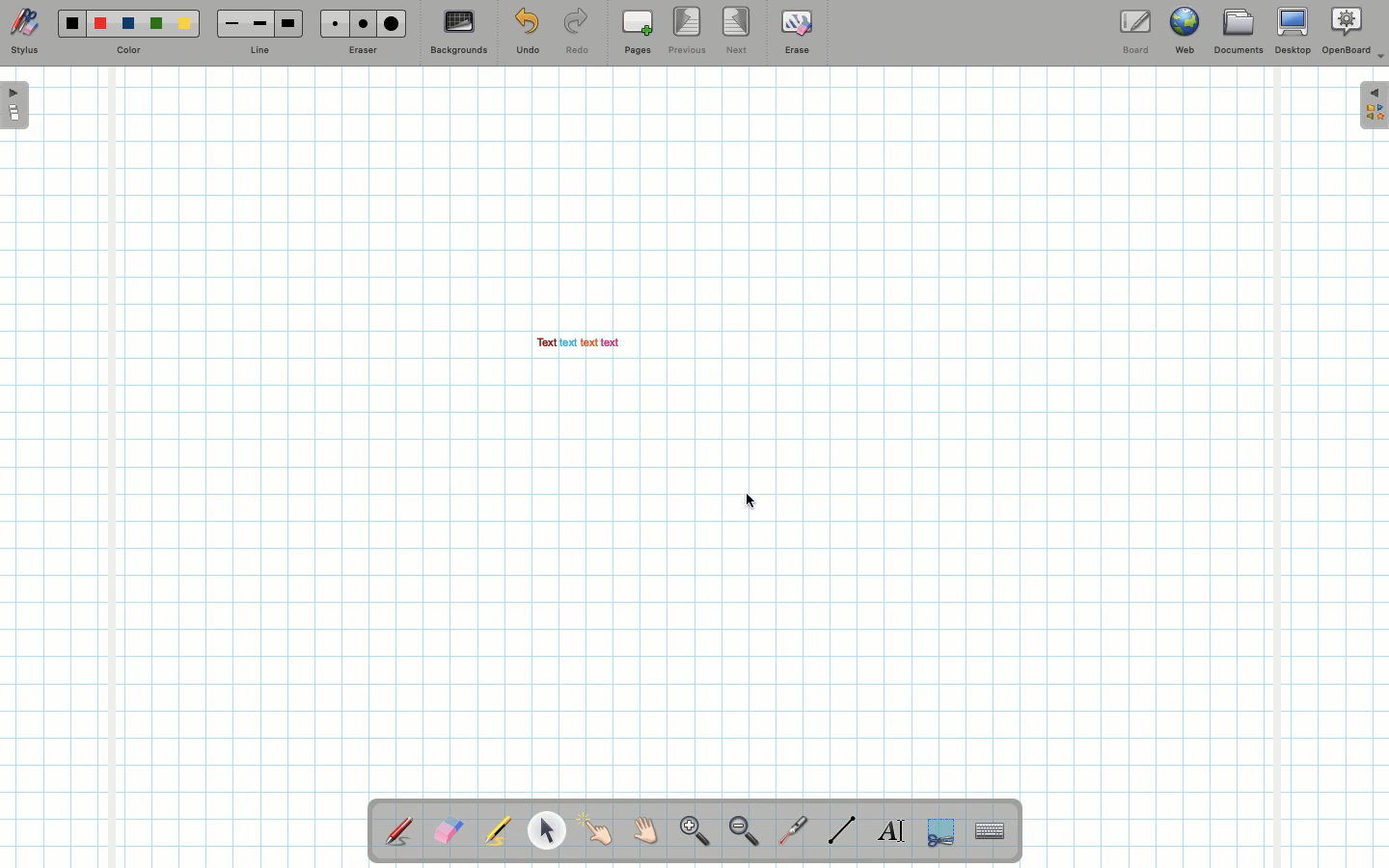 The width and height of the screenshot is (1389, 868). I want to click on Zoom out, so click(744, 832).